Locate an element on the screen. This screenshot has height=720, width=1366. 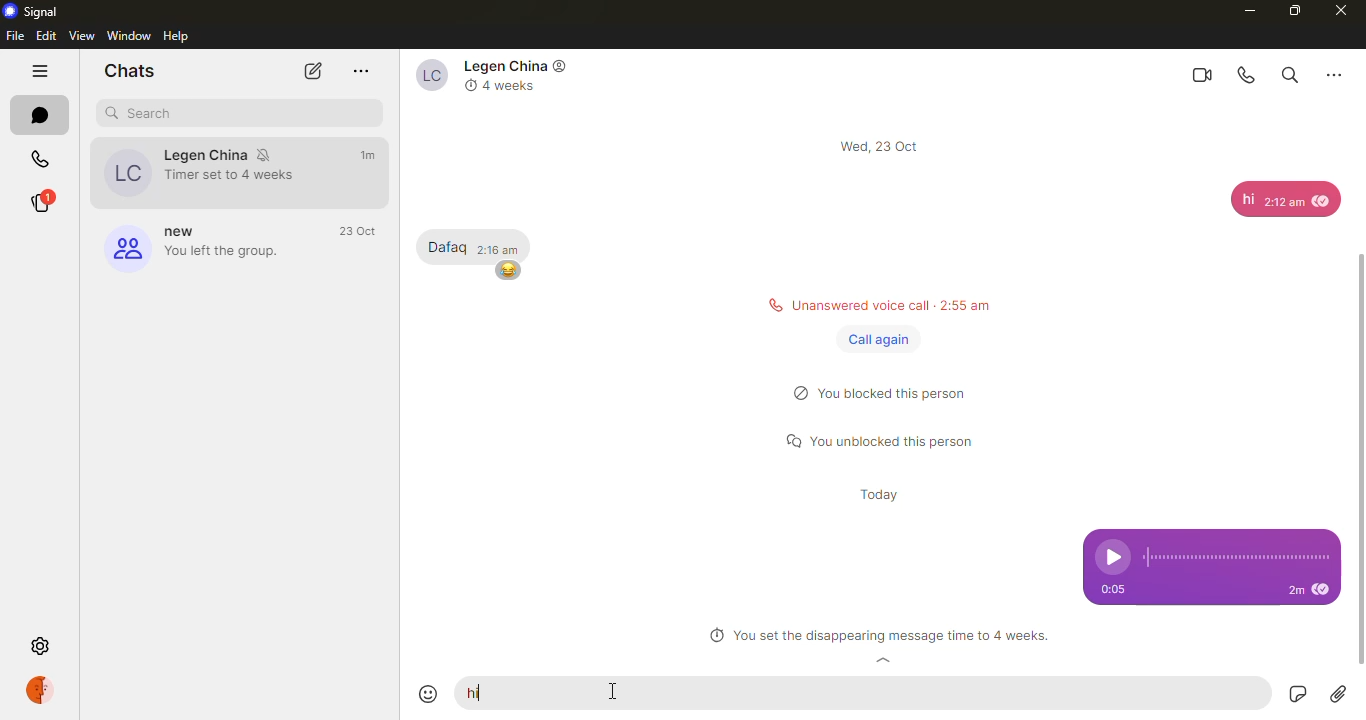
expand is located at coordinates (884, 662).